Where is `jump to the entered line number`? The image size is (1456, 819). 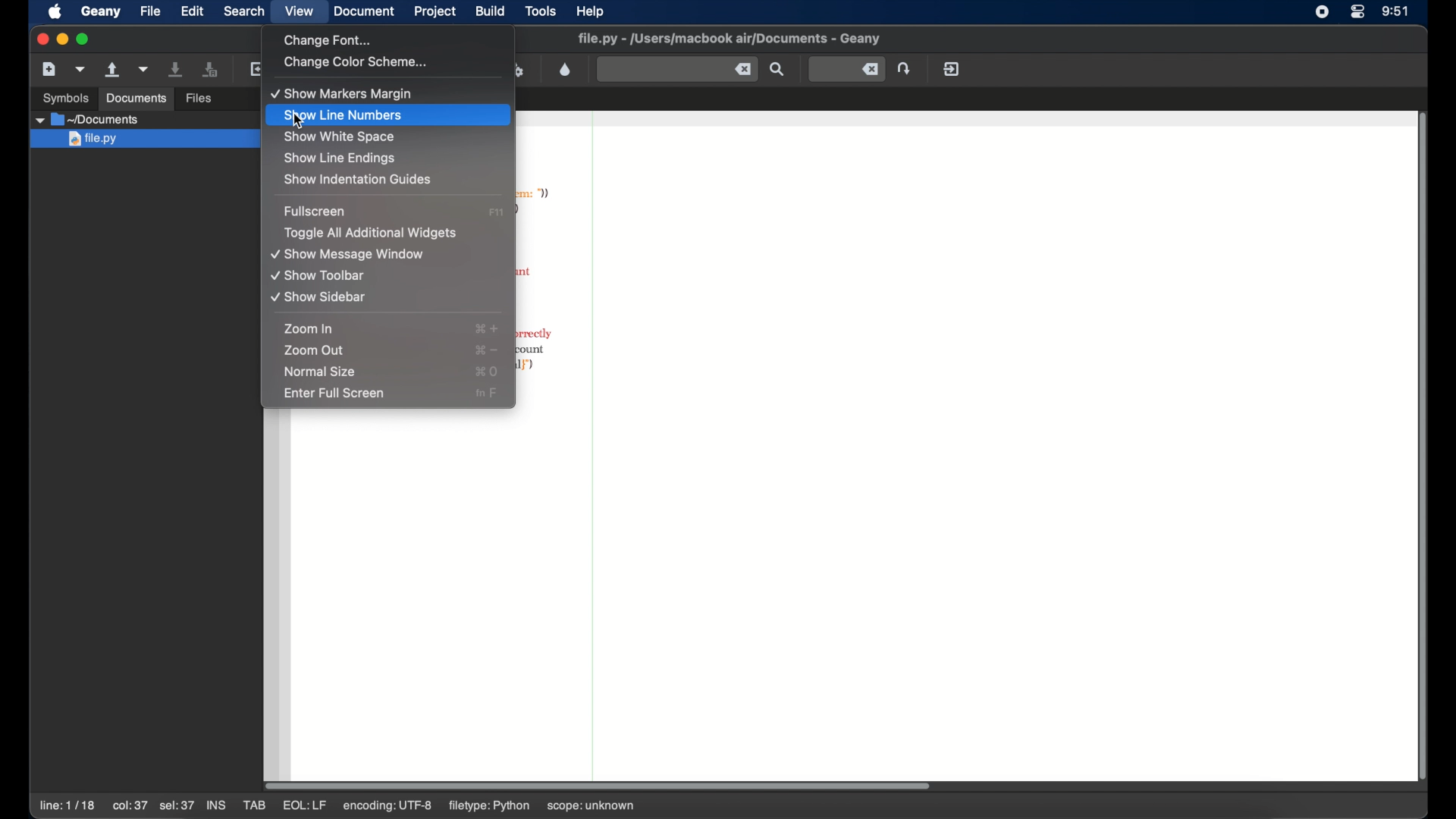
jump to the entered line number is located at coordinates (905, 68).